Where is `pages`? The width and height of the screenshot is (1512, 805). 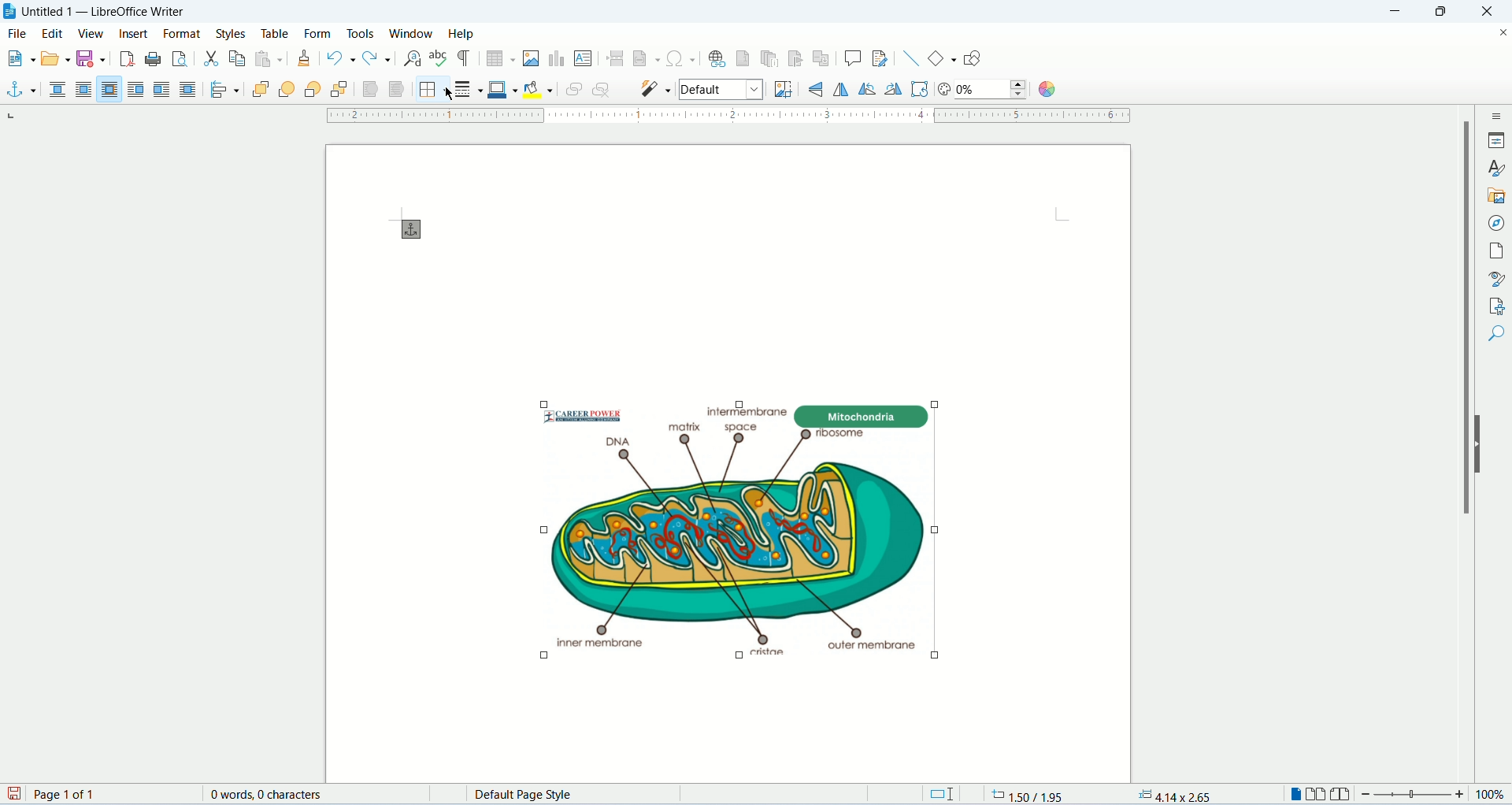
pages is located at coordinates (1497, 253).